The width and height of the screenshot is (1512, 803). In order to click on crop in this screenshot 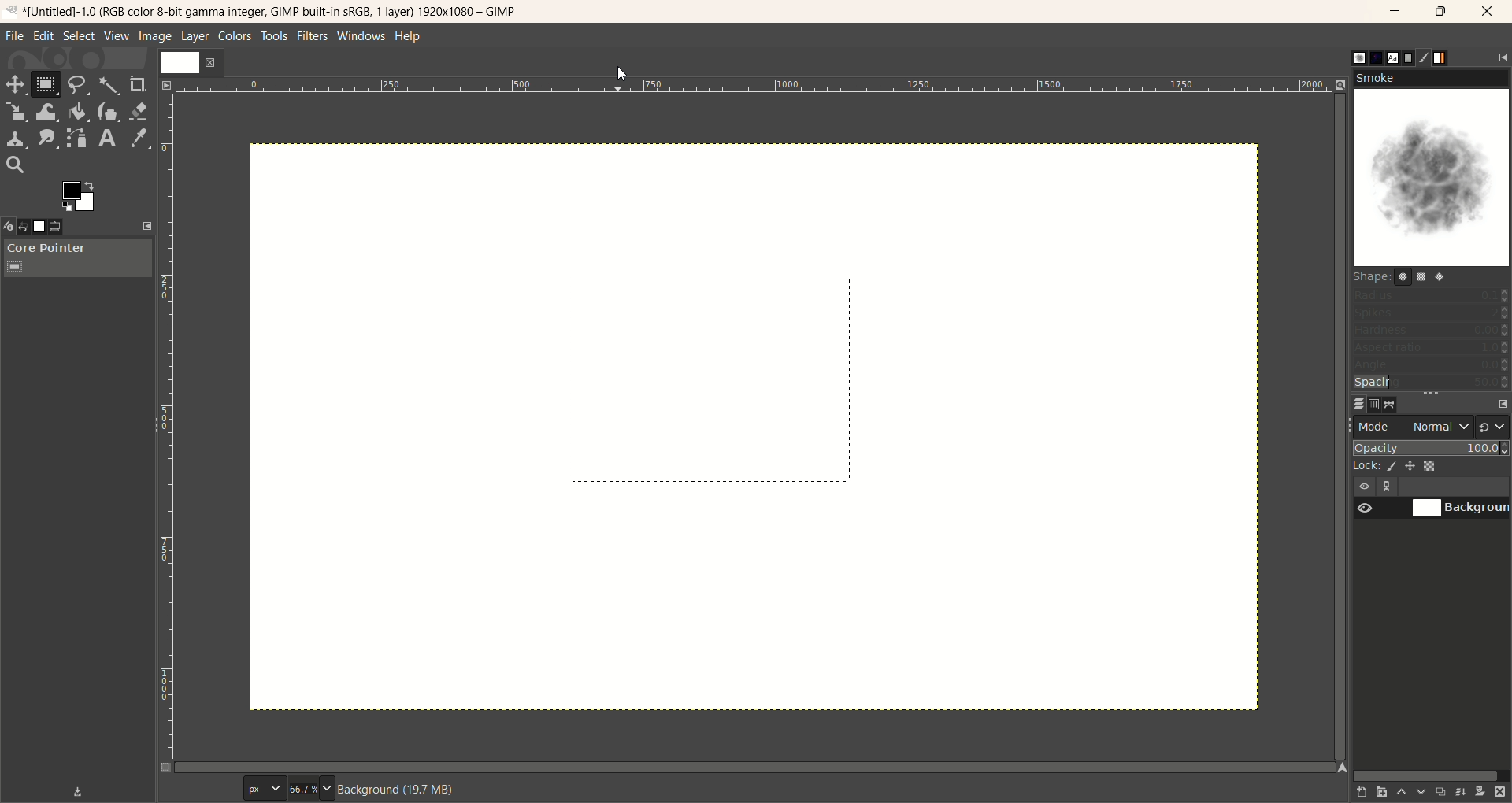, I will do `click(140, 87)`.